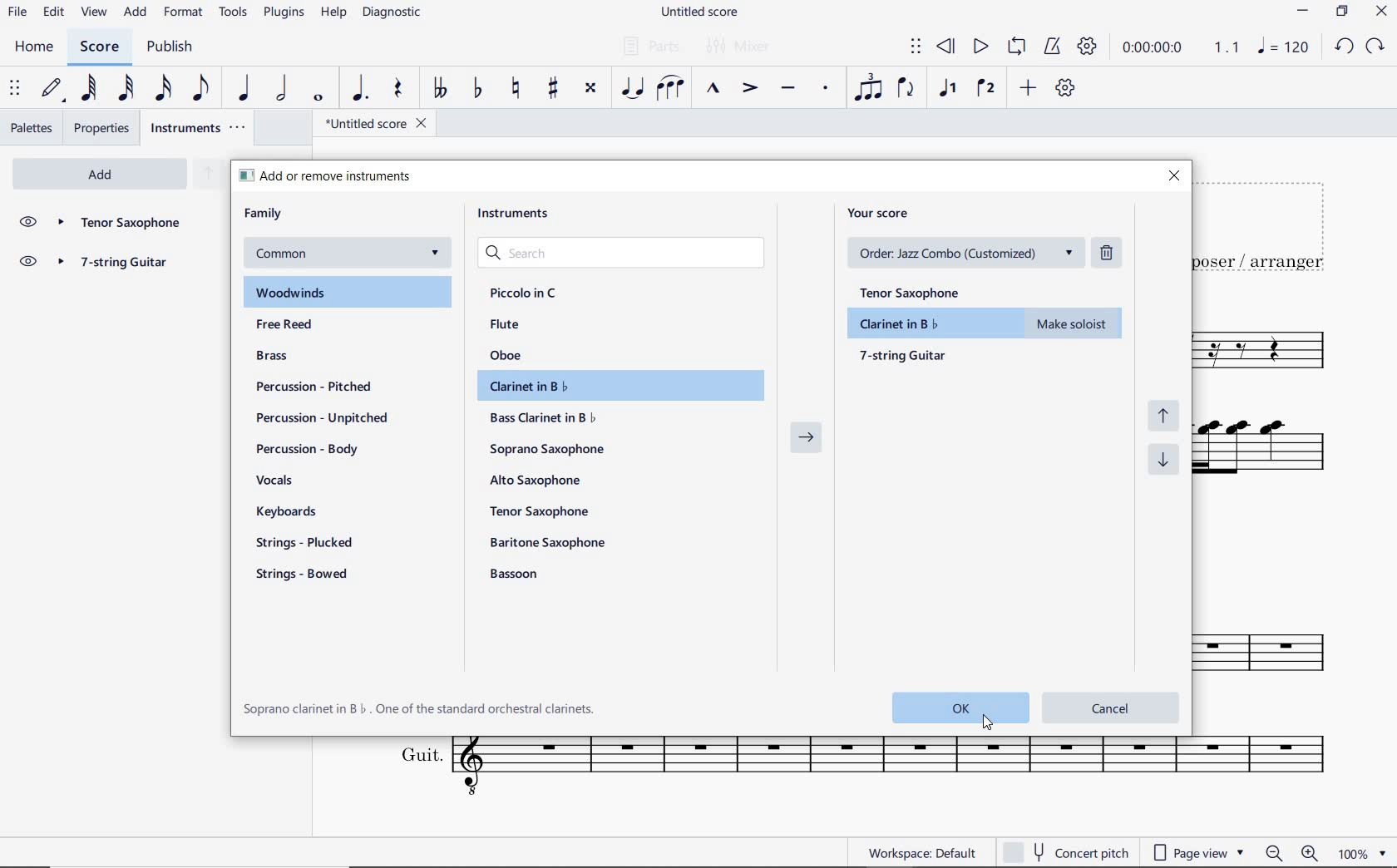 This screenshot has height=868, width=1397. I want to click on VIEW, so click(96, 13).